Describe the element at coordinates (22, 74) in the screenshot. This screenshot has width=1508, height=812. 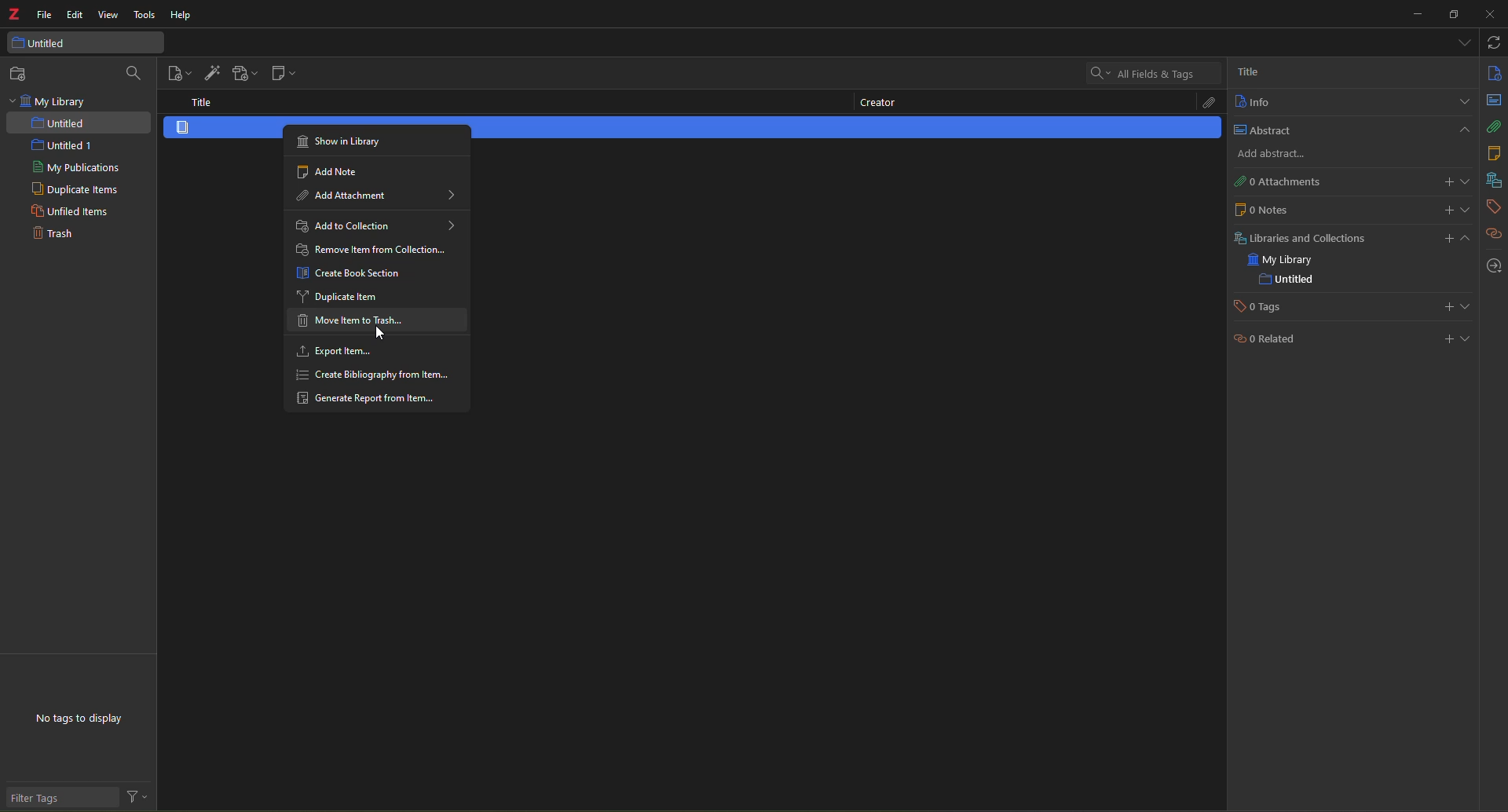
I see `new collection` at that location.